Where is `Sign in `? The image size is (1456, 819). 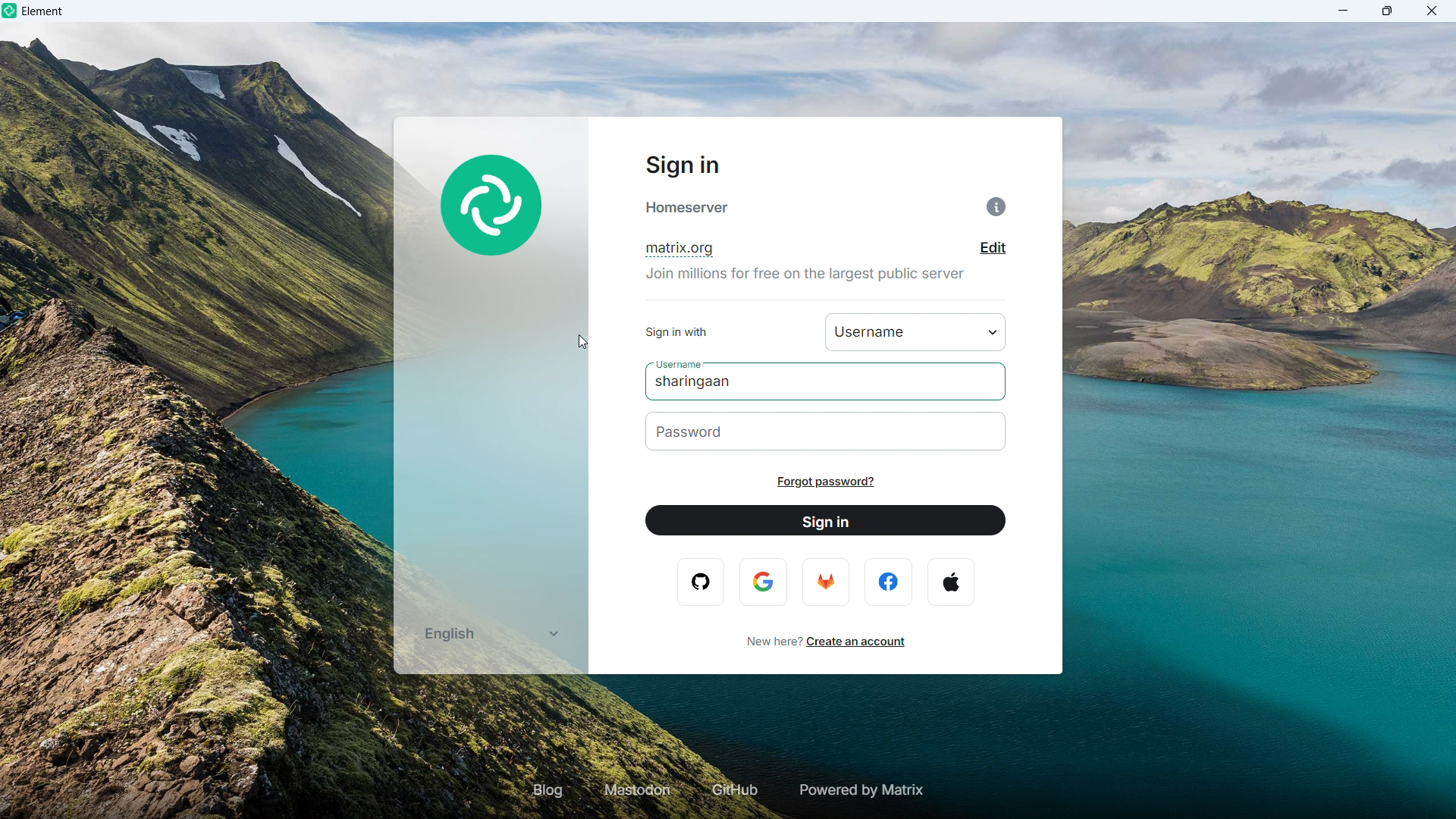 Sign in  is located at coordinates (826, 521).